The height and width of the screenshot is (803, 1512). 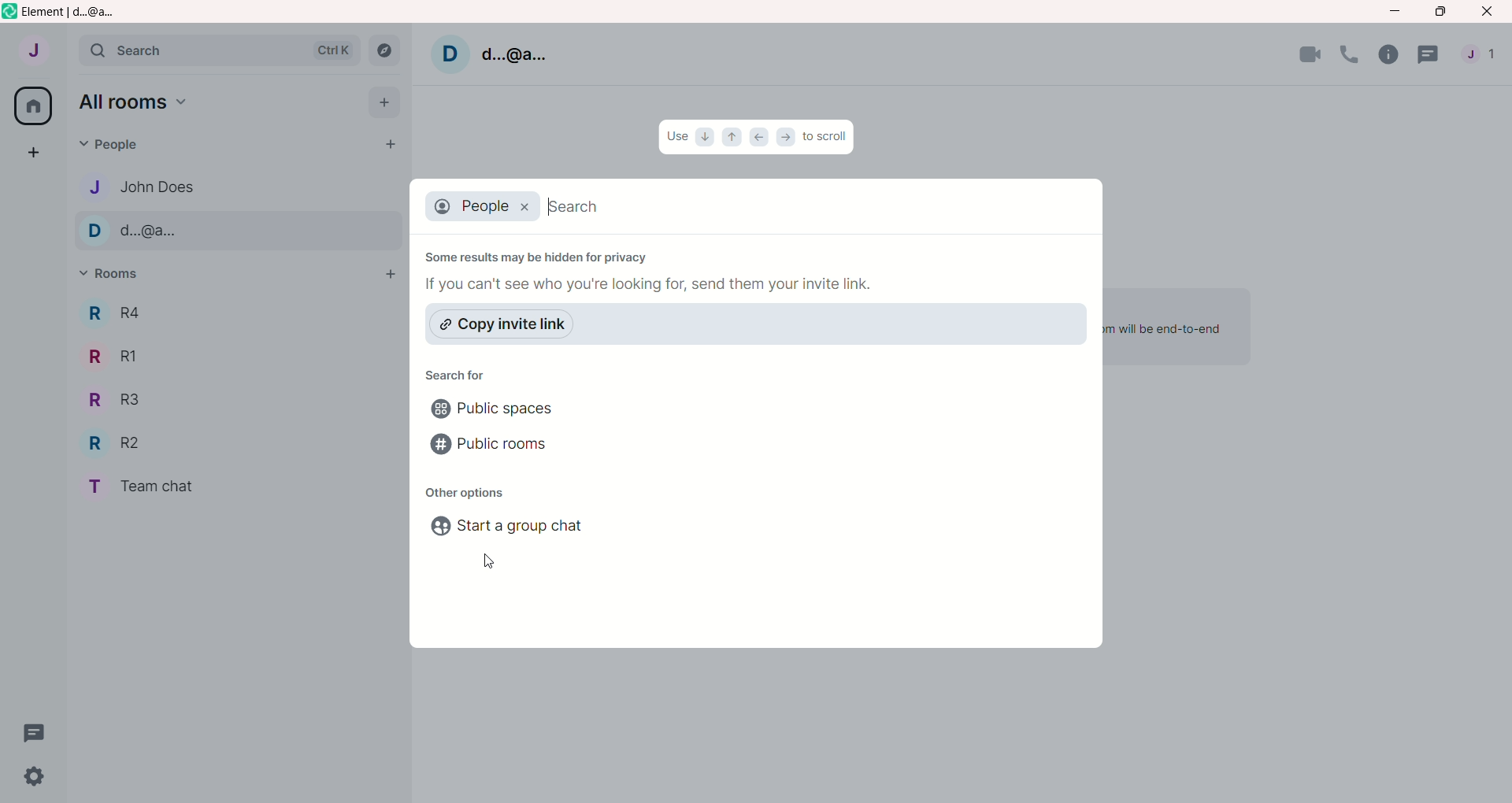 What do you see at coordinates (483, 206) in the screenshot?
I see `people` at bounding box center [483, 206].